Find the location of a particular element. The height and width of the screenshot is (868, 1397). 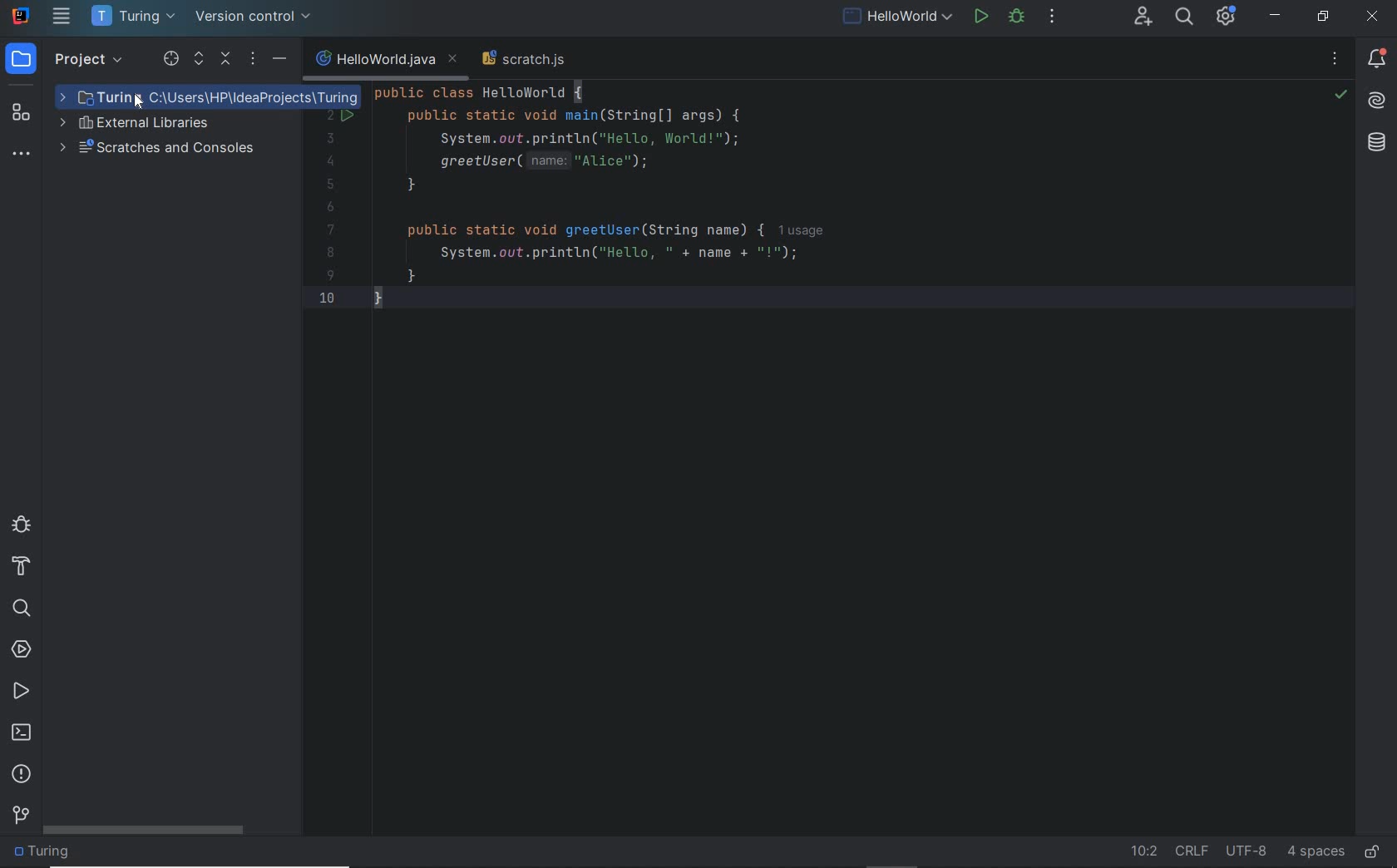

no problems highlighted is located at coordinates (1341, 95).